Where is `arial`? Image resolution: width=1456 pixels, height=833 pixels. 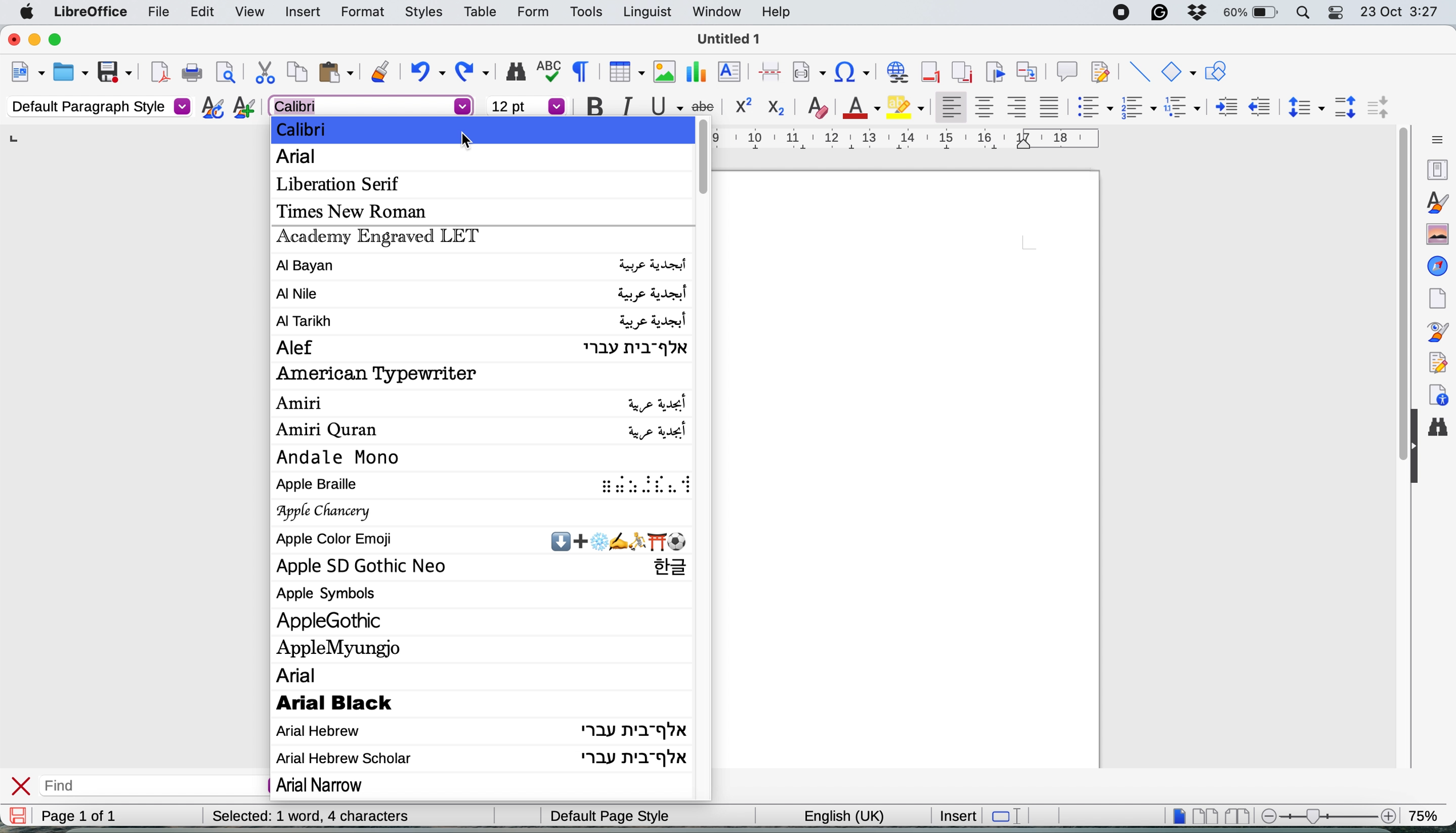 arial is located at coordinates (302, 675).